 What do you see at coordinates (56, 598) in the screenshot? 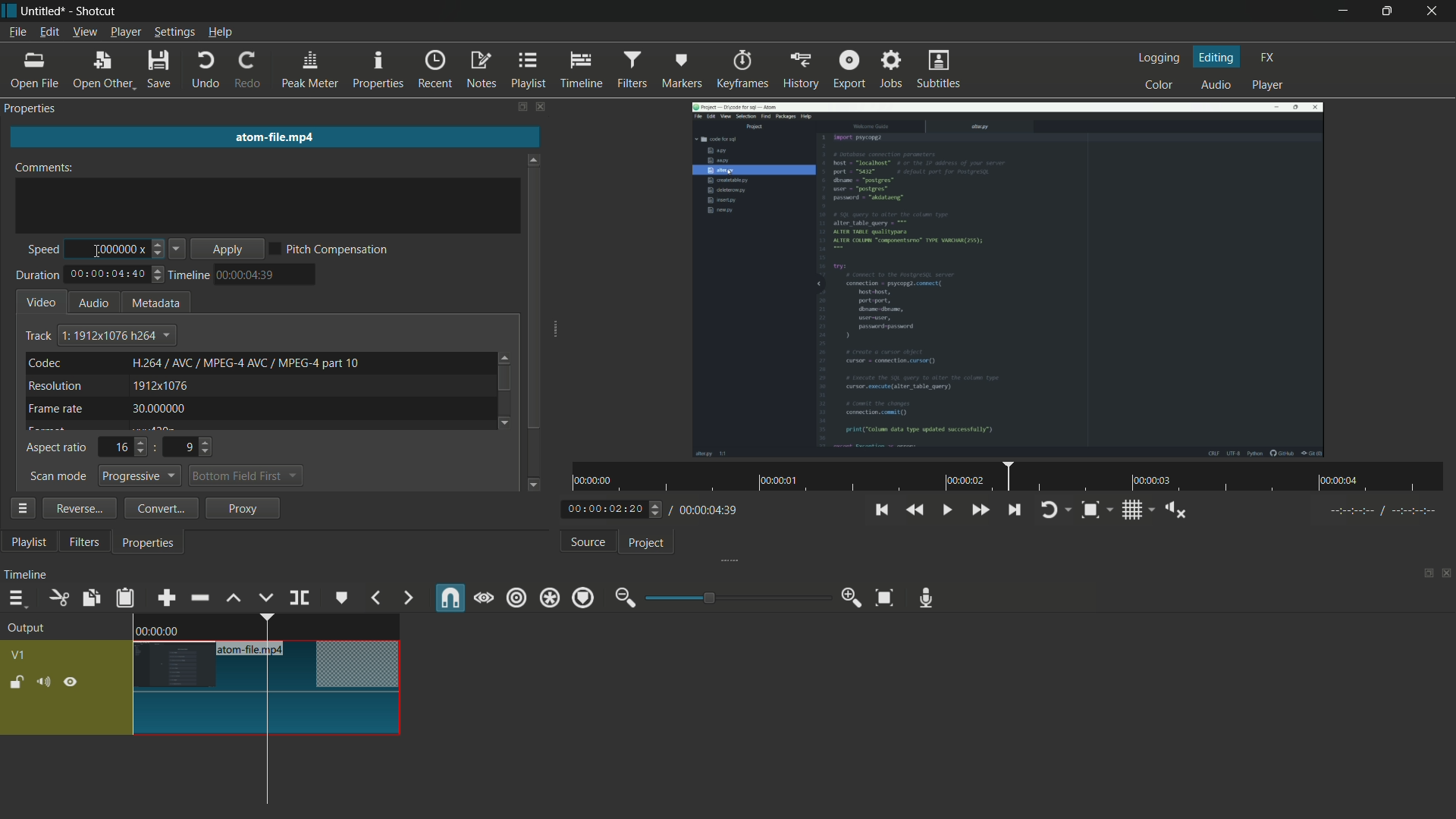
I see `cut` at bounding box center [56, 598].